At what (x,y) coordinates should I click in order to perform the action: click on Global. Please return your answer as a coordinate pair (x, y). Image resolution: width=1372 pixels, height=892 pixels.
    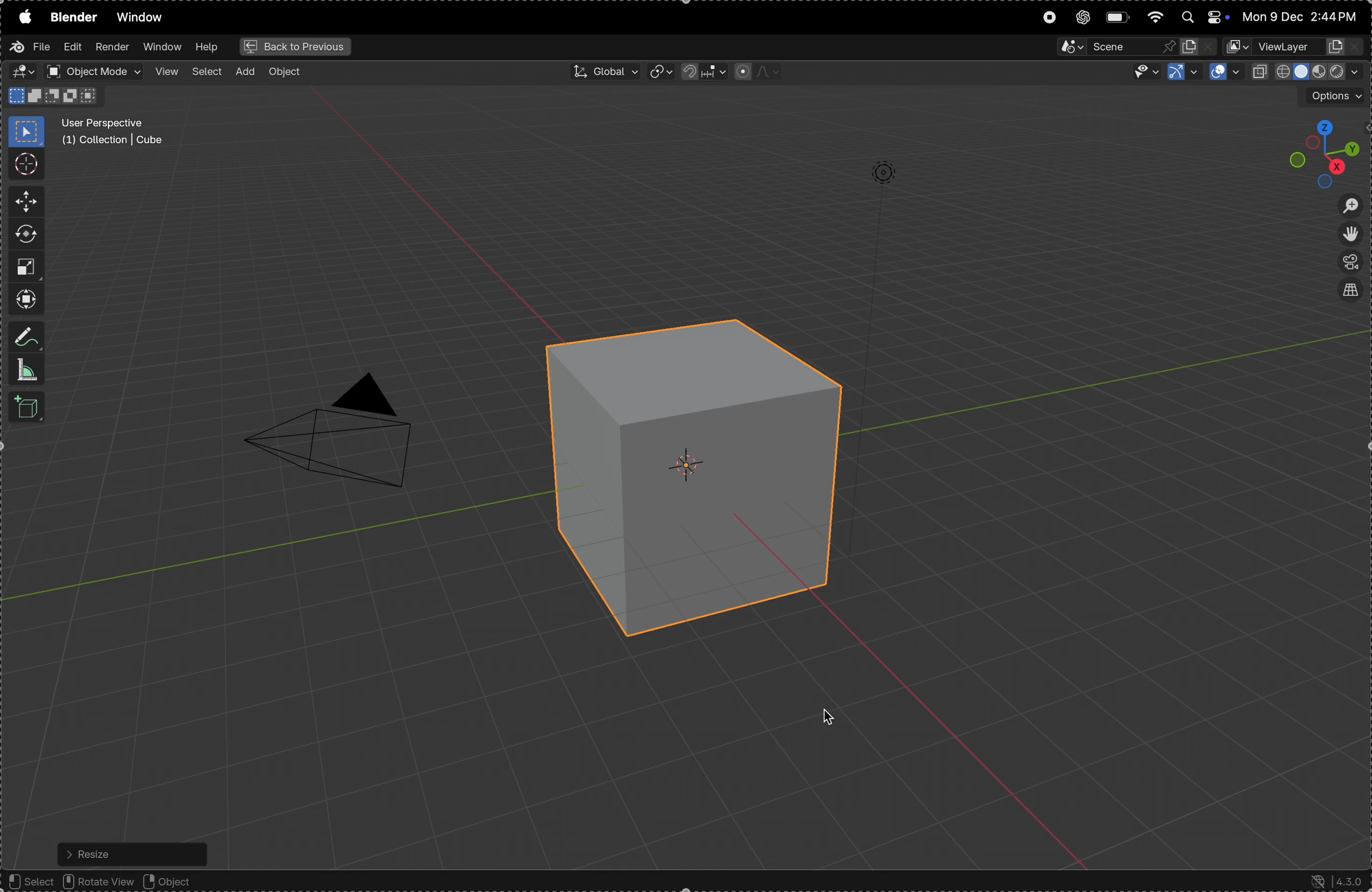
    Looking at the image, I should click on (601, 70).